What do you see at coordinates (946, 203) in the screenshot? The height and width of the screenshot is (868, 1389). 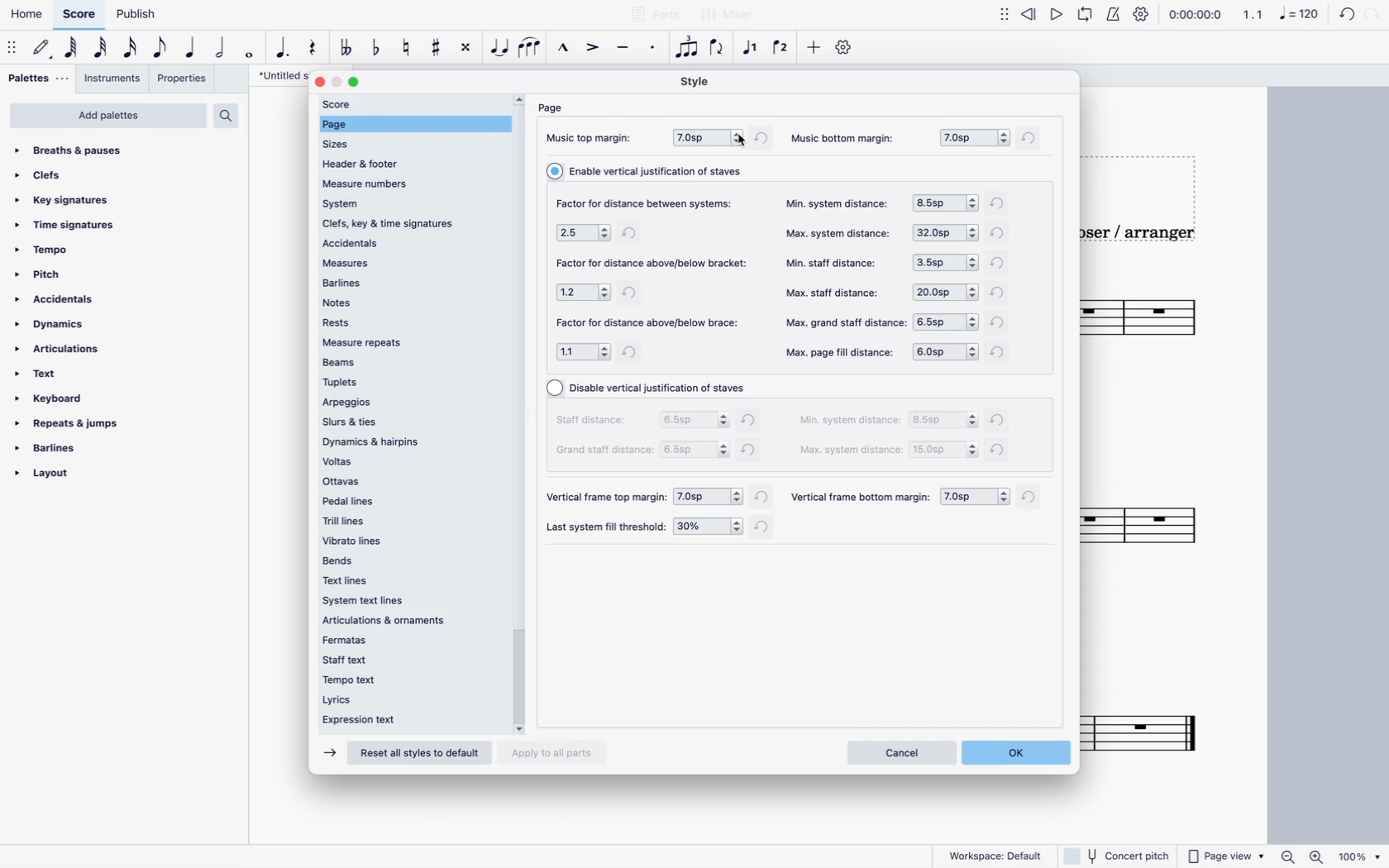 I see `options` at bounding box center [946, 203].